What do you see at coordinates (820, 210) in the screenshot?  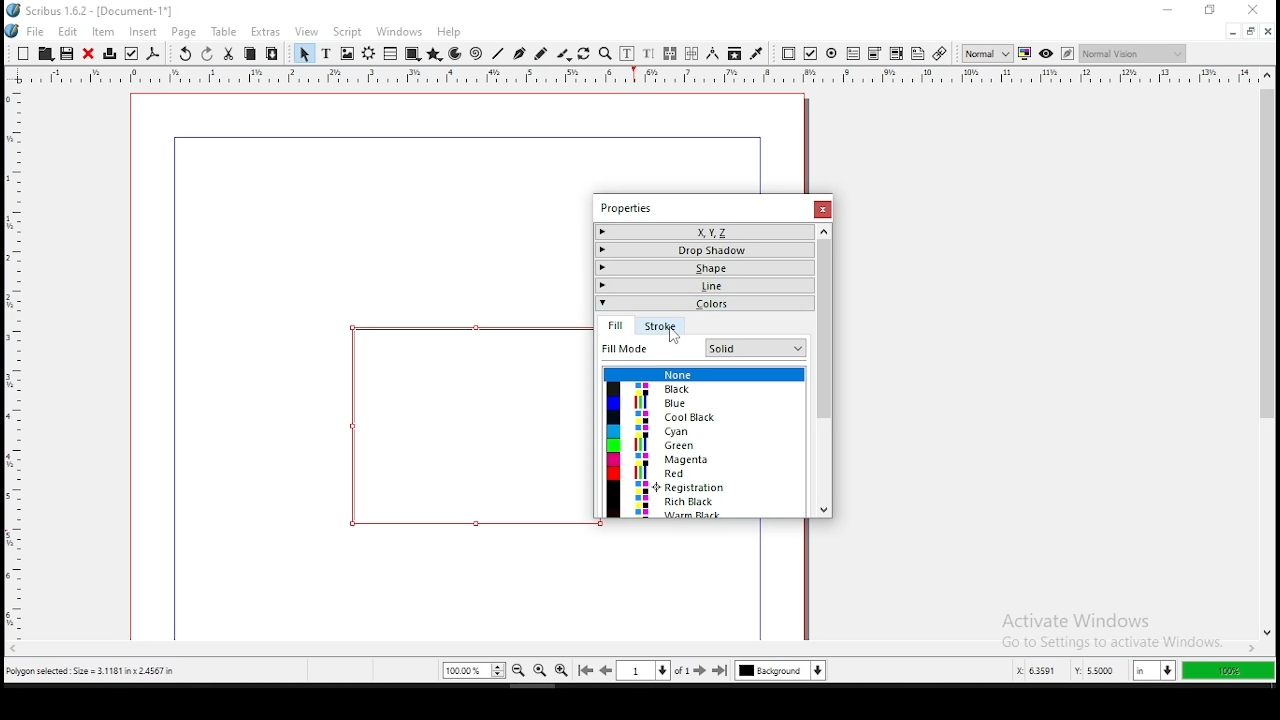 I see `close window` at bounding box center [820, 210].